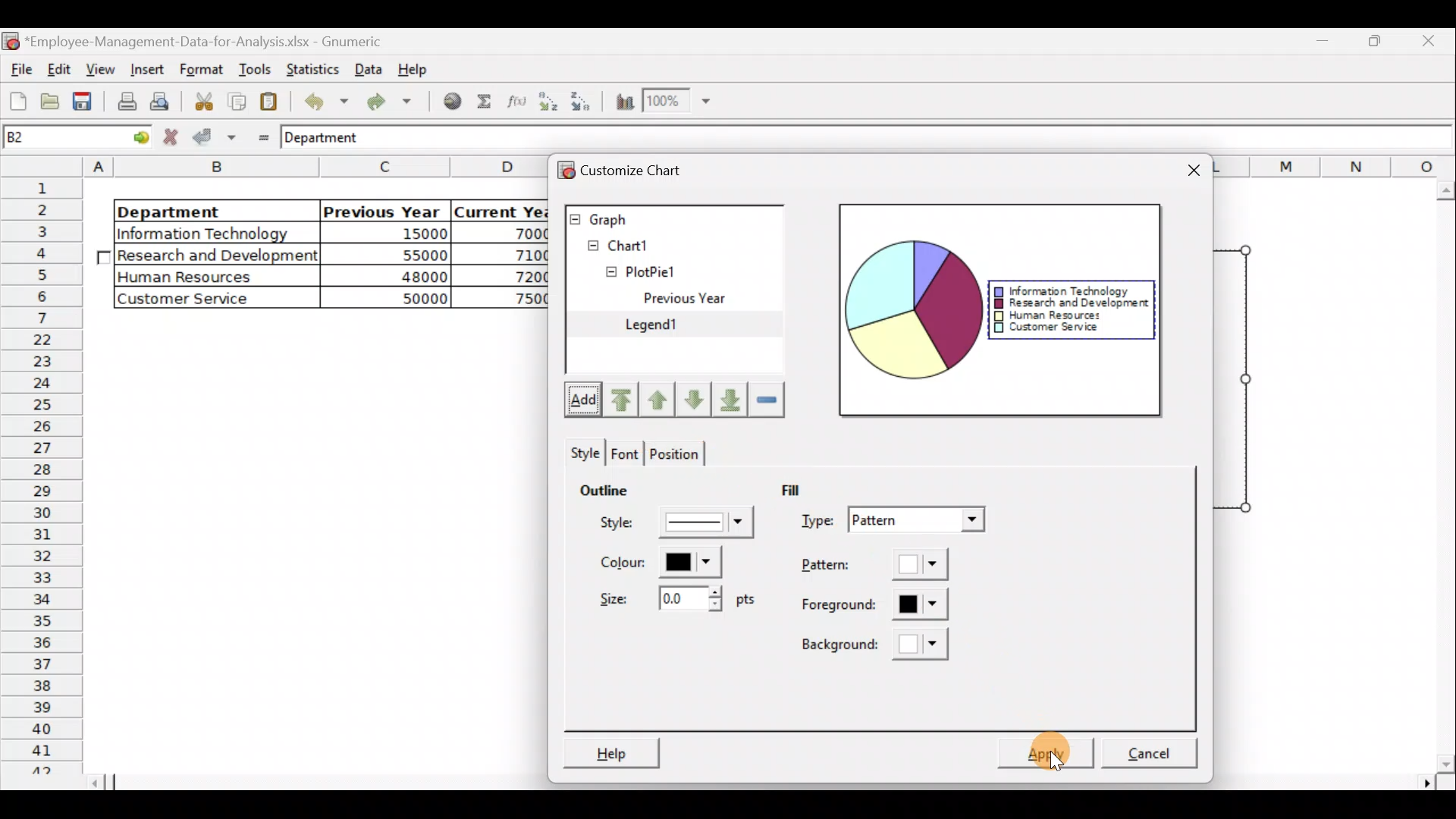  I want to click on Pattern, so click(875, 567).